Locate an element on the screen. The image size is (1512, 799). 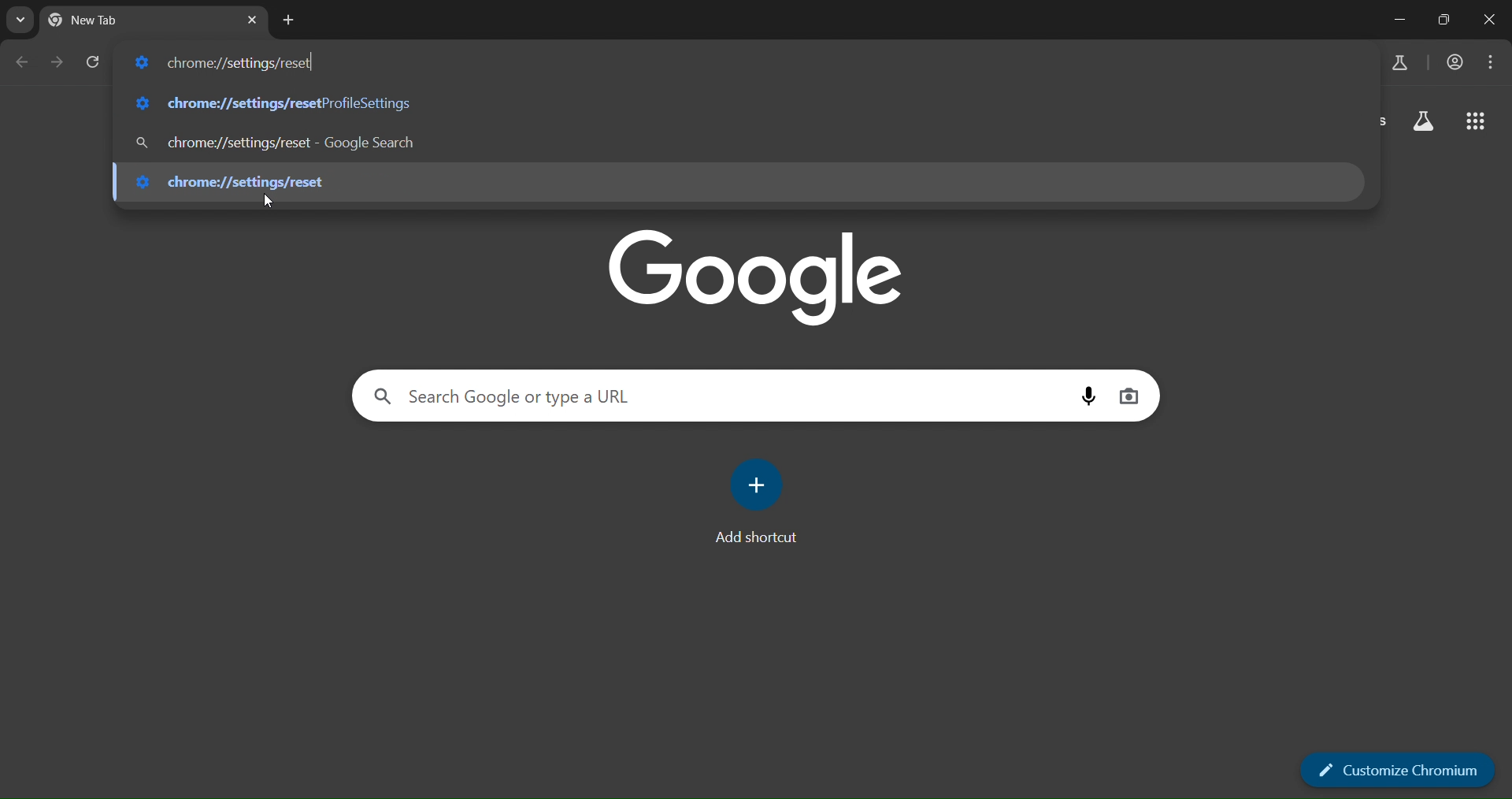
close tab is located at coordinates (254, 19).